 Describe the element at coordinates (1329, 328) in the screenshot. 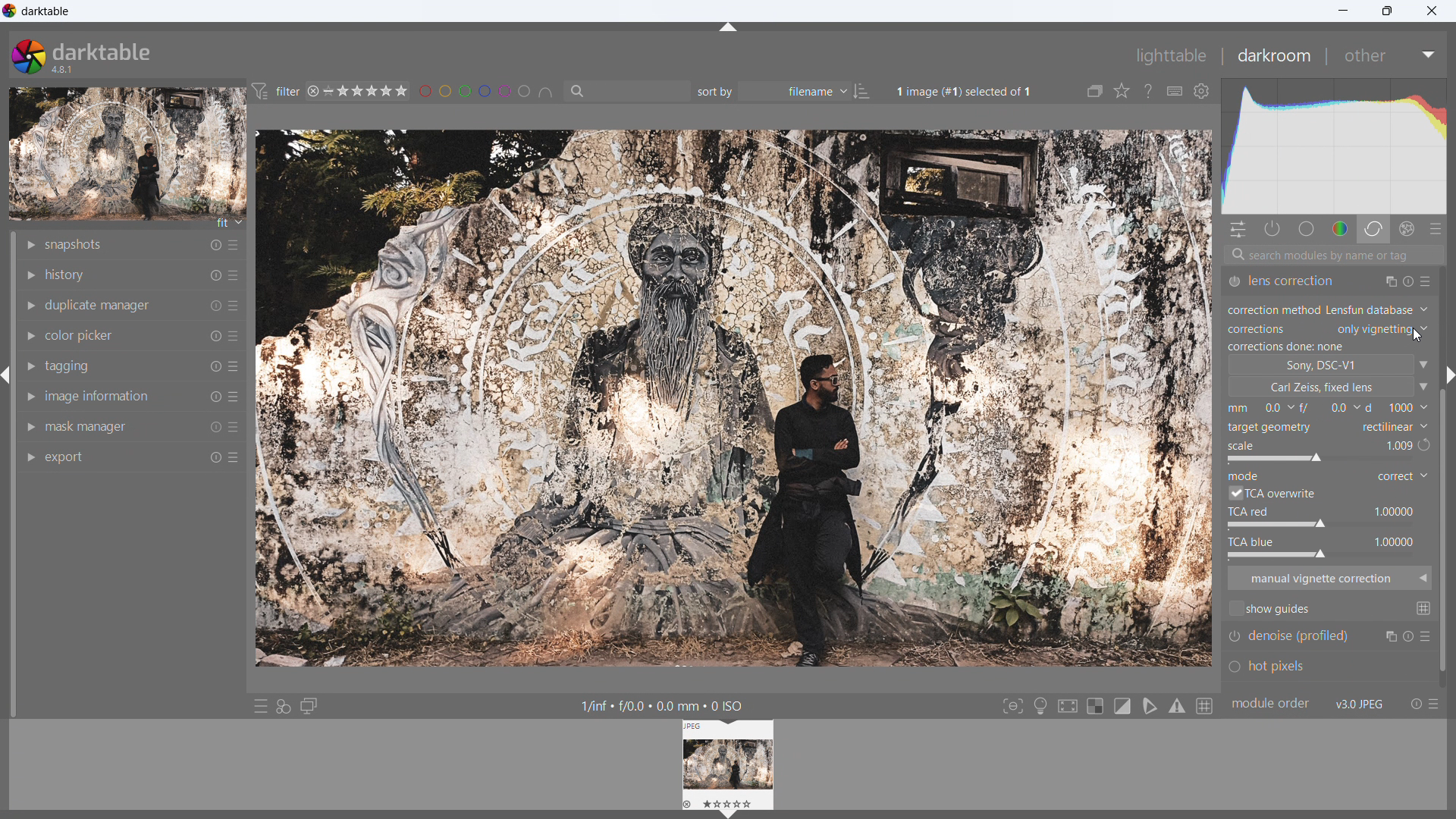

I see `correction type` at that location.